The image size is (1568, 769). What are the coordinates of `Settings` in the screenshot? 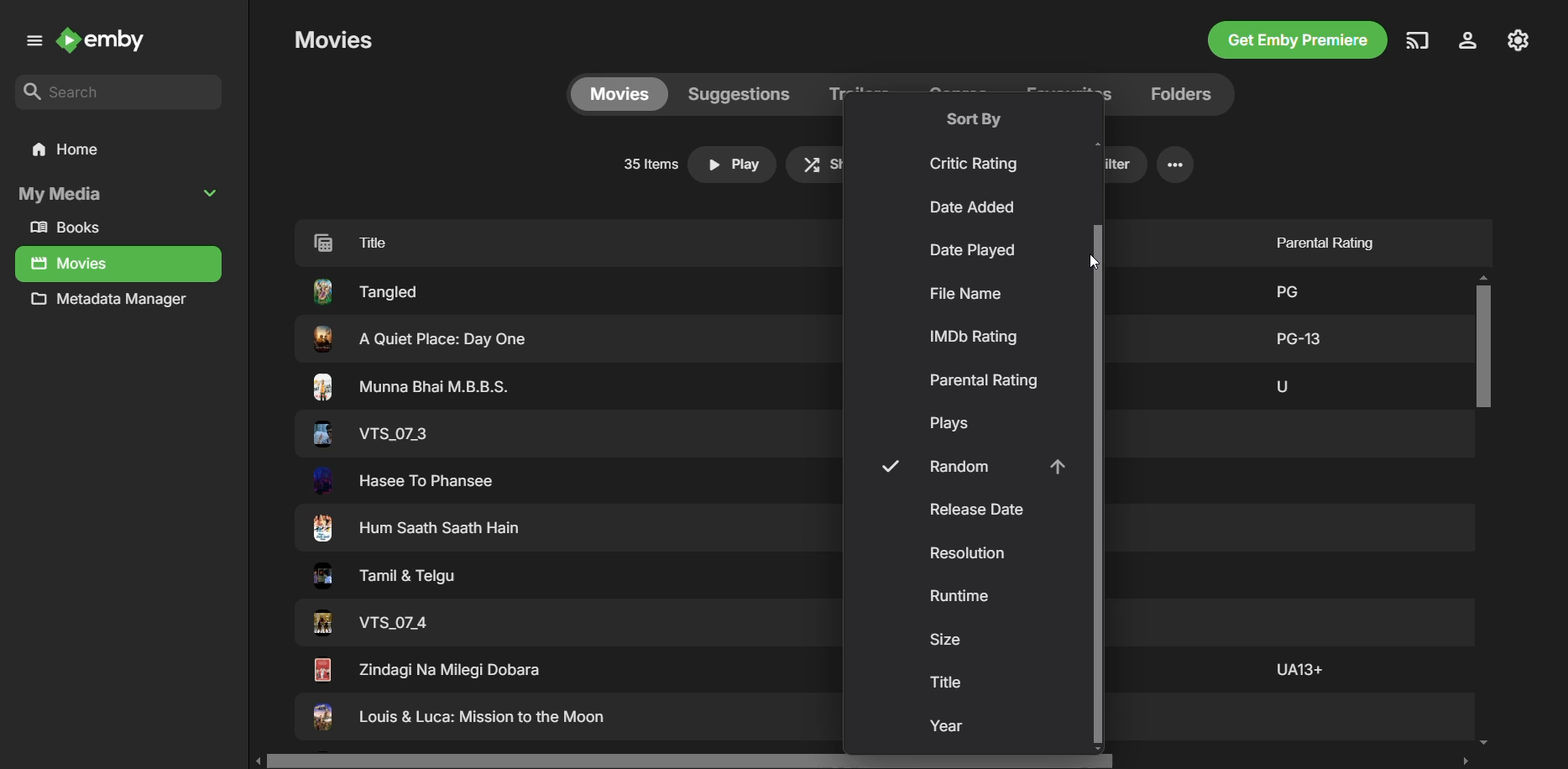 It's located at (1175, 165).